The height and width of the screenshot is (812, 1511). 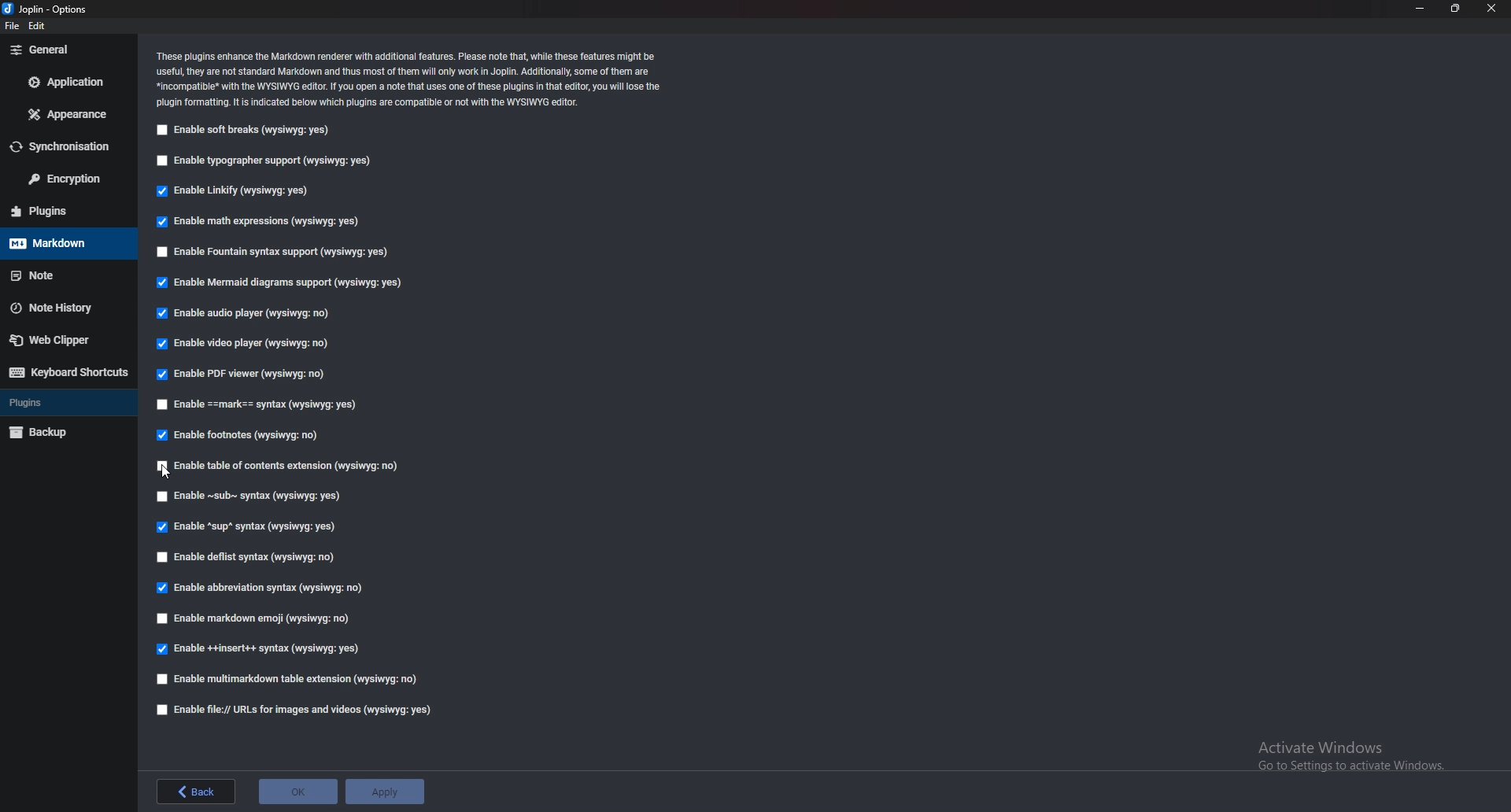 What do you see at coordinates (245, 132) in the screenshot?
I see `Enable soft breaks` at bounding box center [245, 132].